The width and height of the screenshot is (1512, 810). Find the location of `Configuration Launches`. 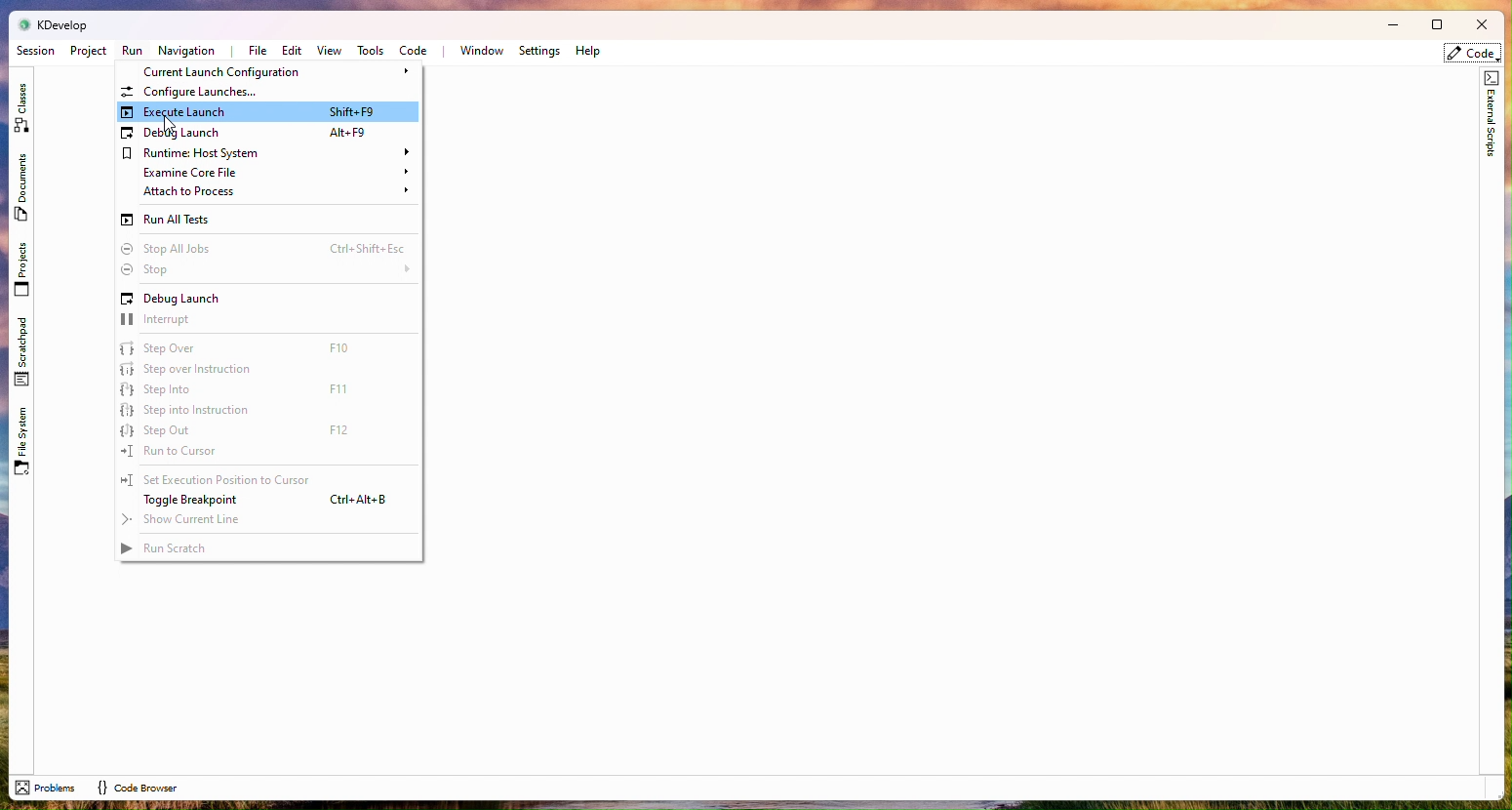

Configuration Launches is located at coordinates (268, 92).